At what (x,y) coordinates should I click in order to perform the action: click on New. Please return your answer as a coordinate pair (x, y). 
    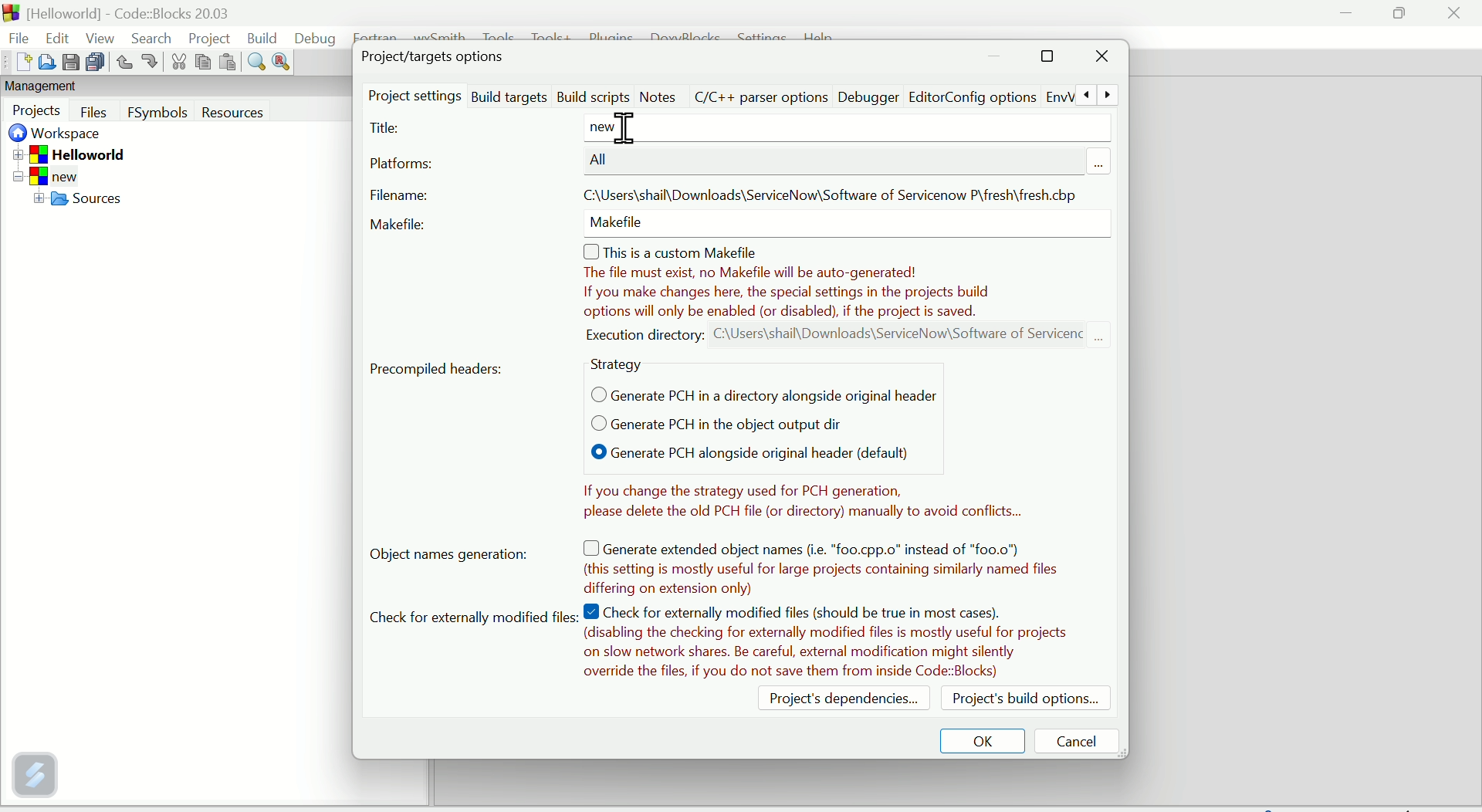
    Looking at the image, I should click on (59, 176).